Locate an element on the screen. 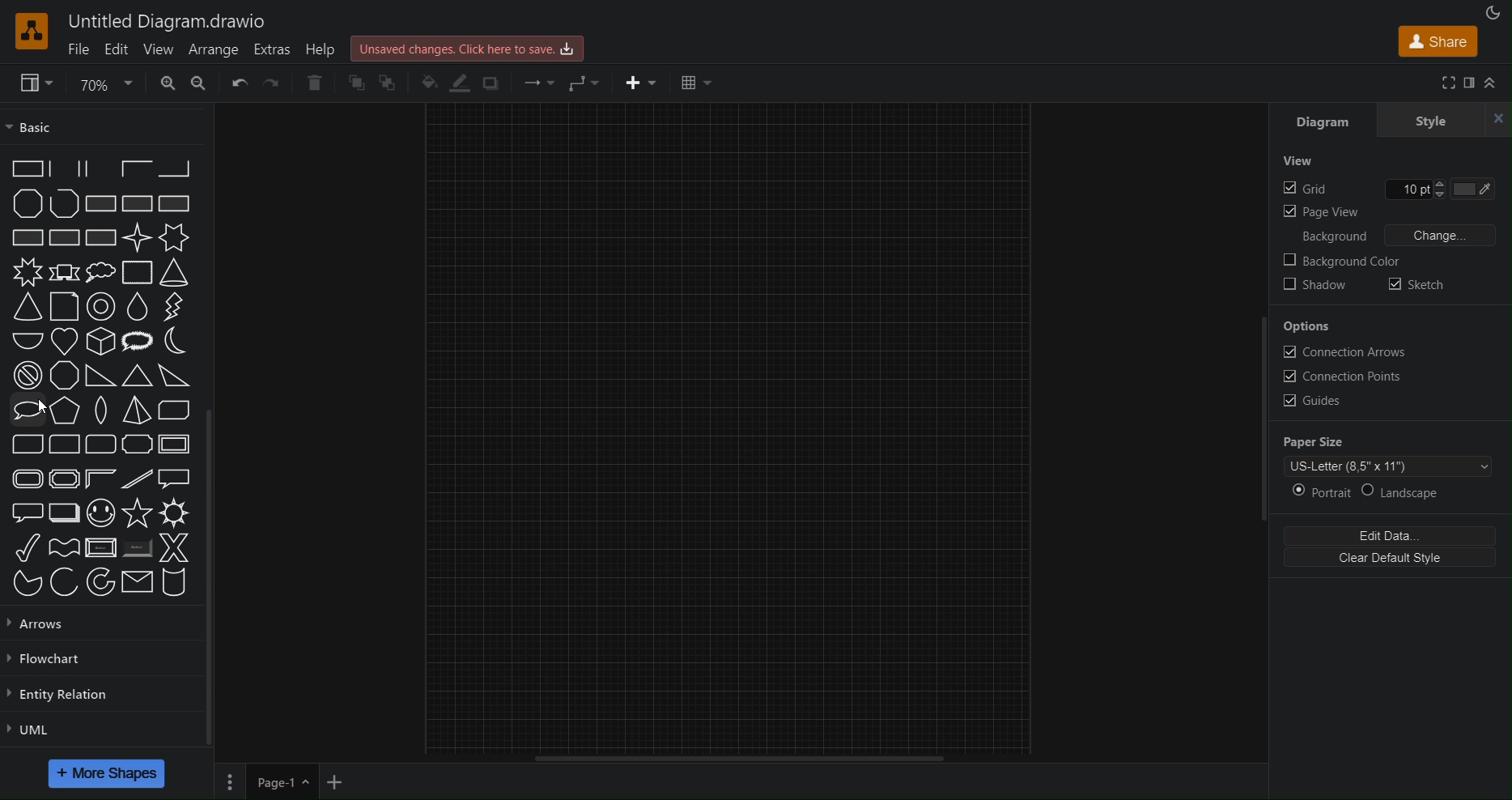 The height and width of the screenshot is (800, 1512). Table is located at coordinates (697, 84).